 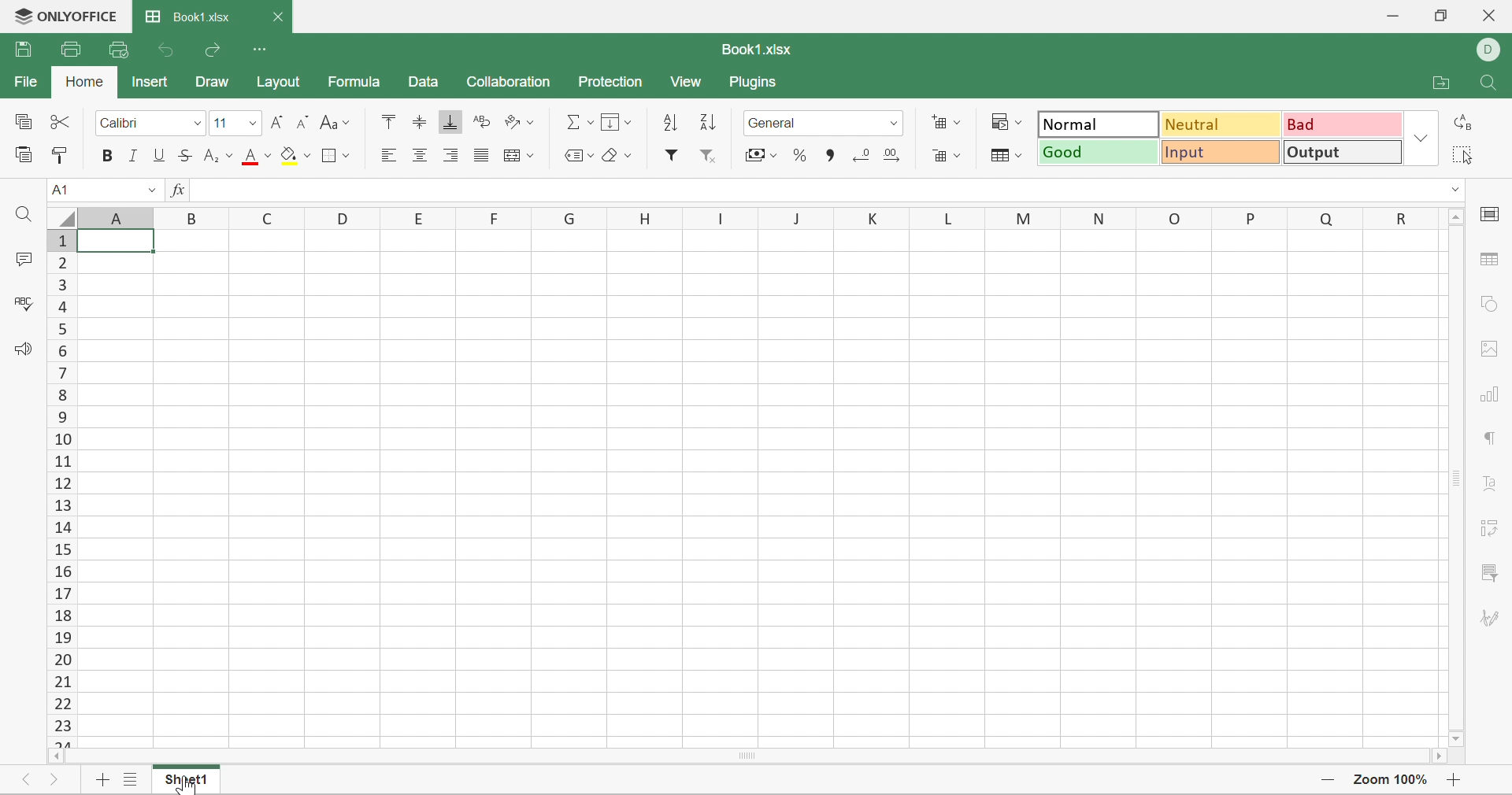 What do you see at coordinates (1392, 16) in the screenshot?
I see `Minimize` at bounding box center [1392, 16].